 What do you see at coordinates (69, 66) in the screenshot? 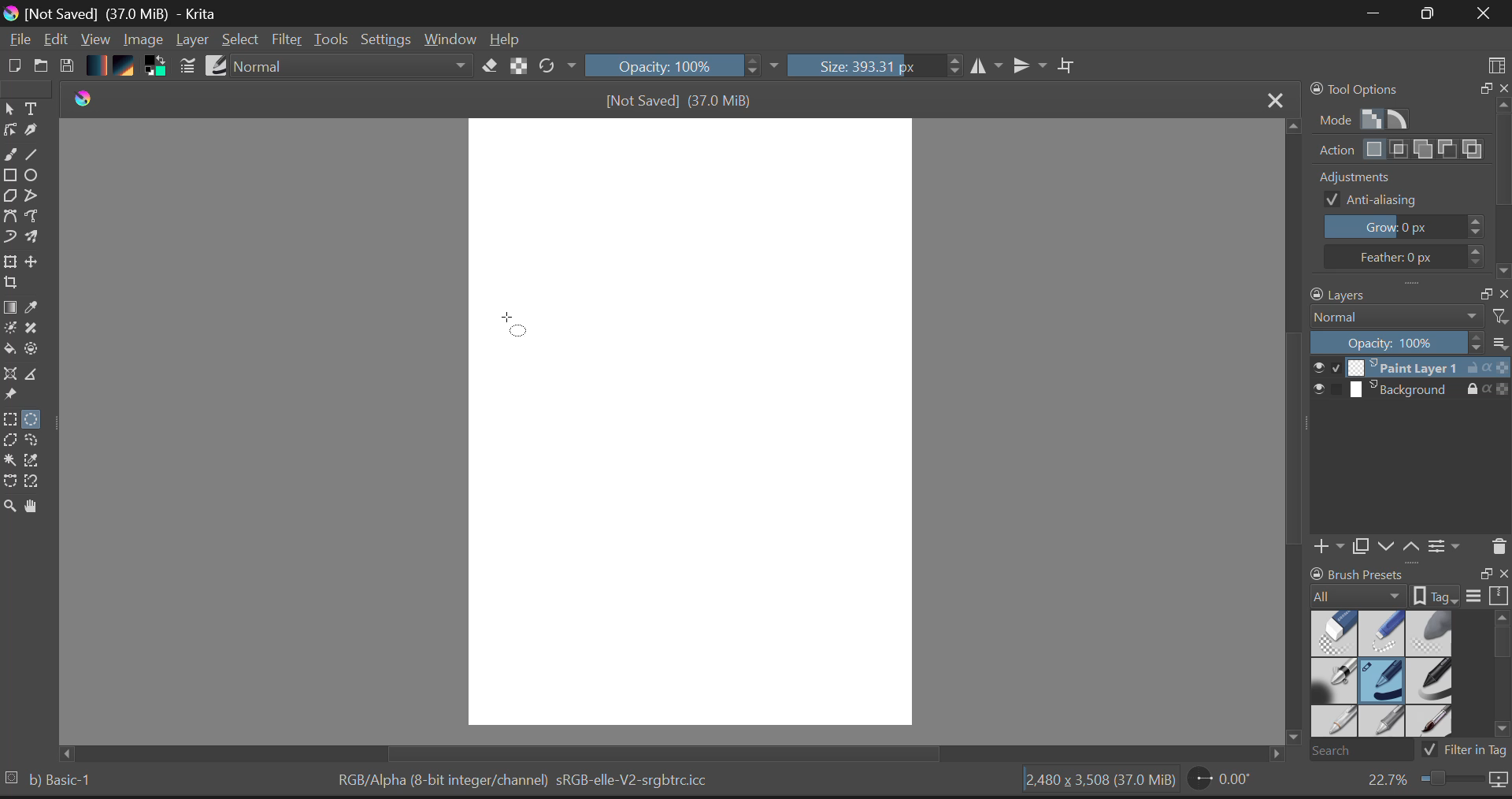
I see `Save` at bounding box center [69, 66].